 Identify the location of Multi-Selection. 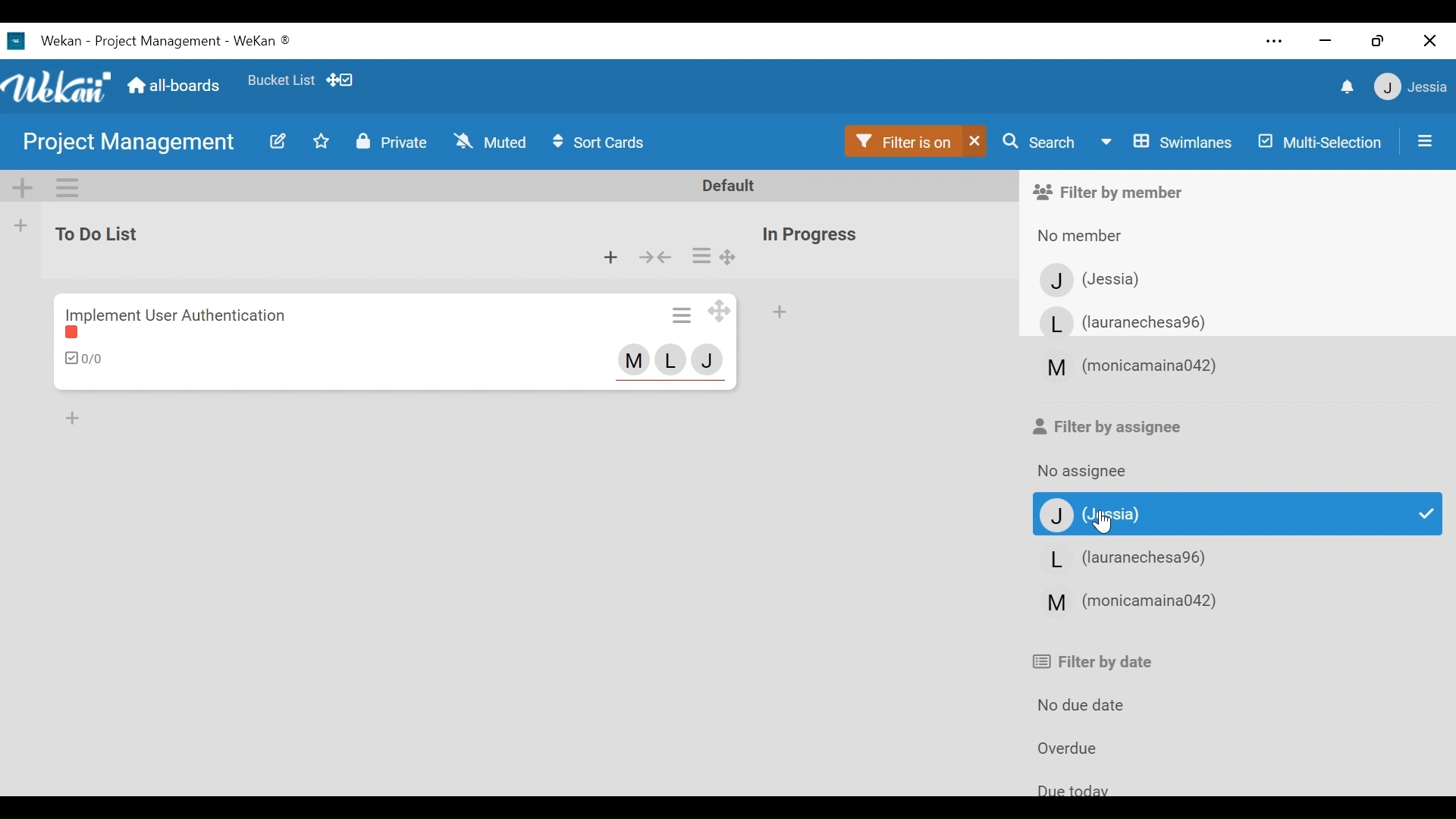
(1319, 141).